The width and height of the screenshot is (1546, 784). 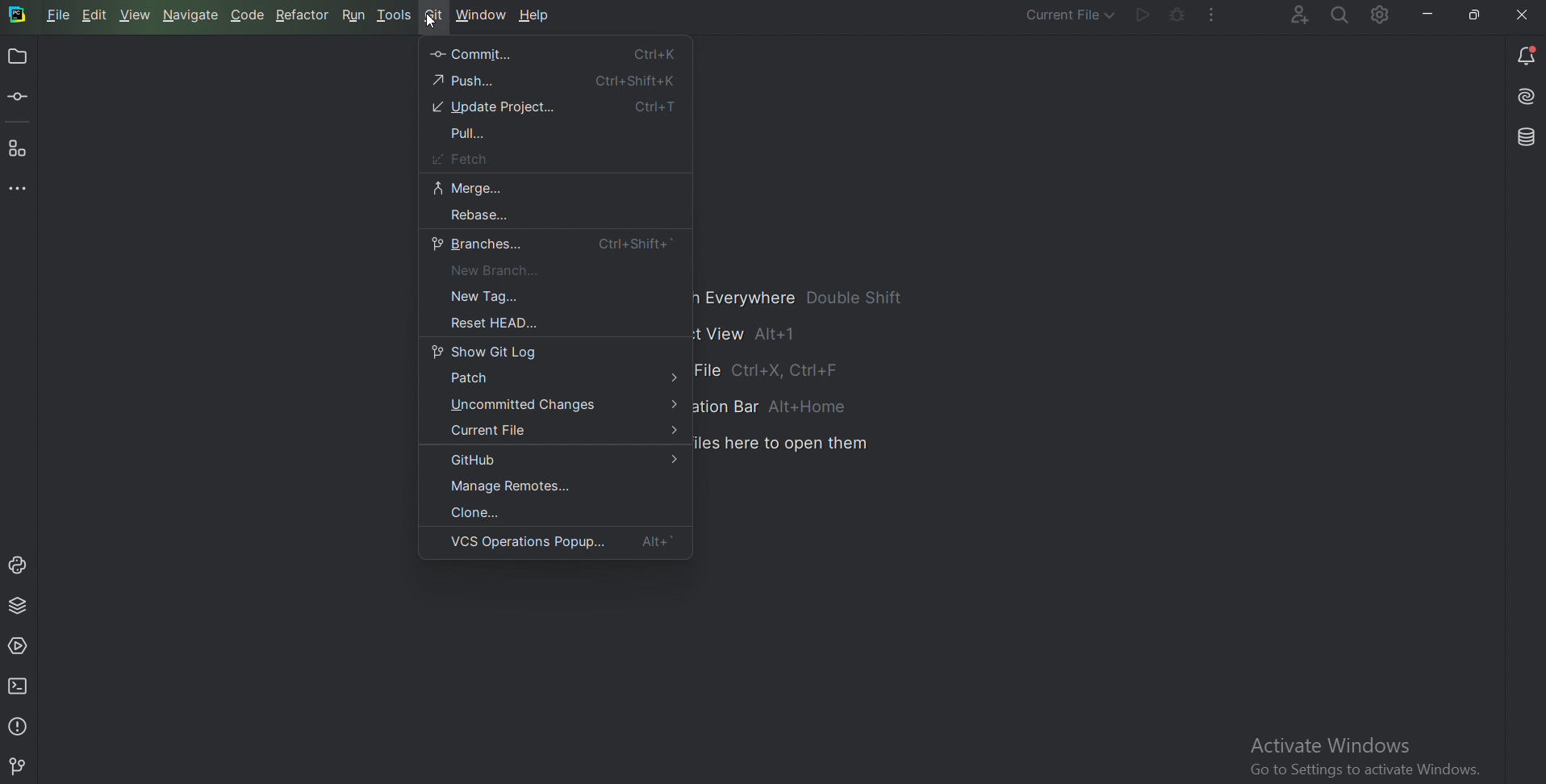 I want to click on Terminal, so click(x=21, y=686).